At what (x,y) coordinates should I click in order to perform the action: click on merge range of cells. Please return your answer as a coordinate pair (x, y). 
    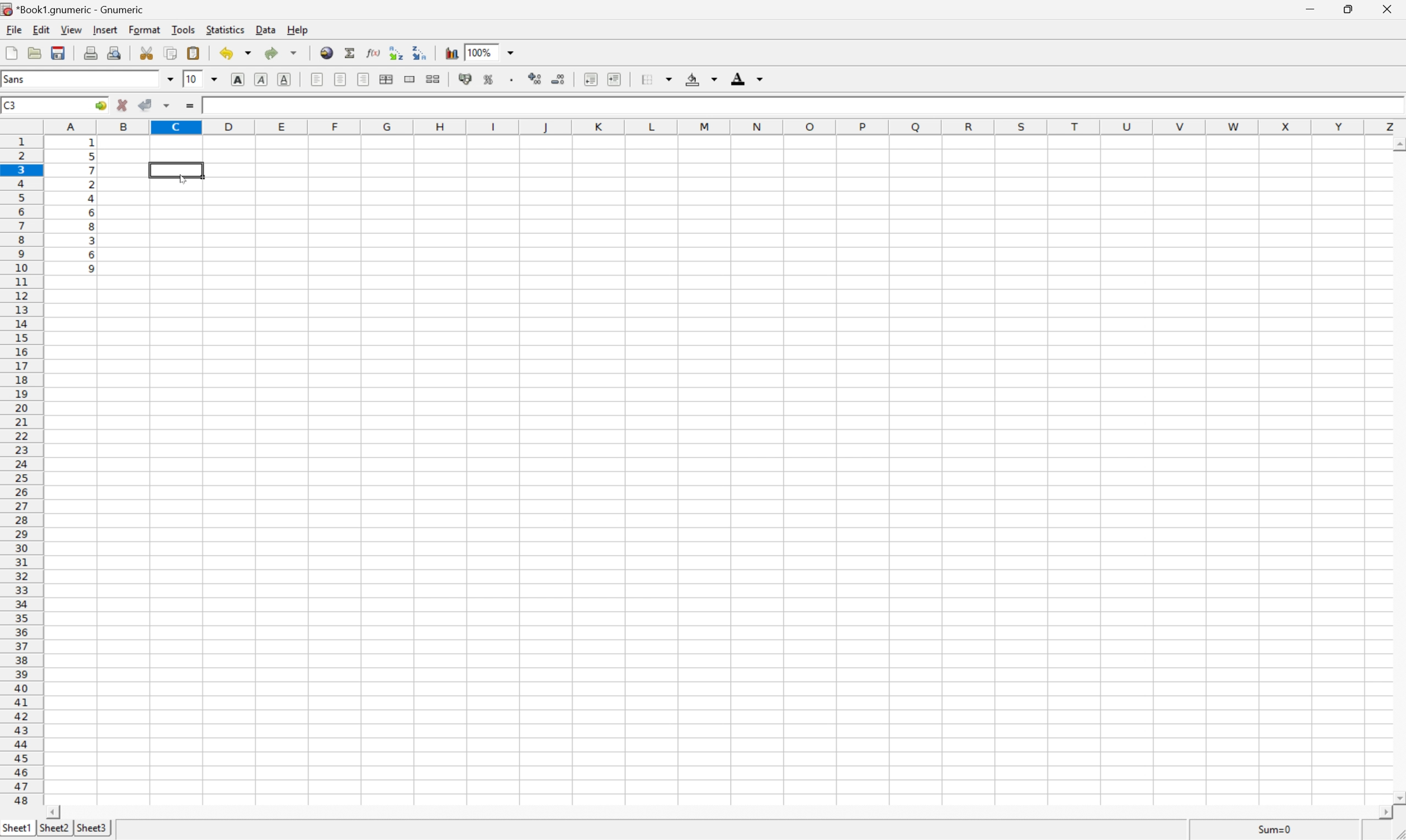
    Looking at the image, I should click on (409, 78).